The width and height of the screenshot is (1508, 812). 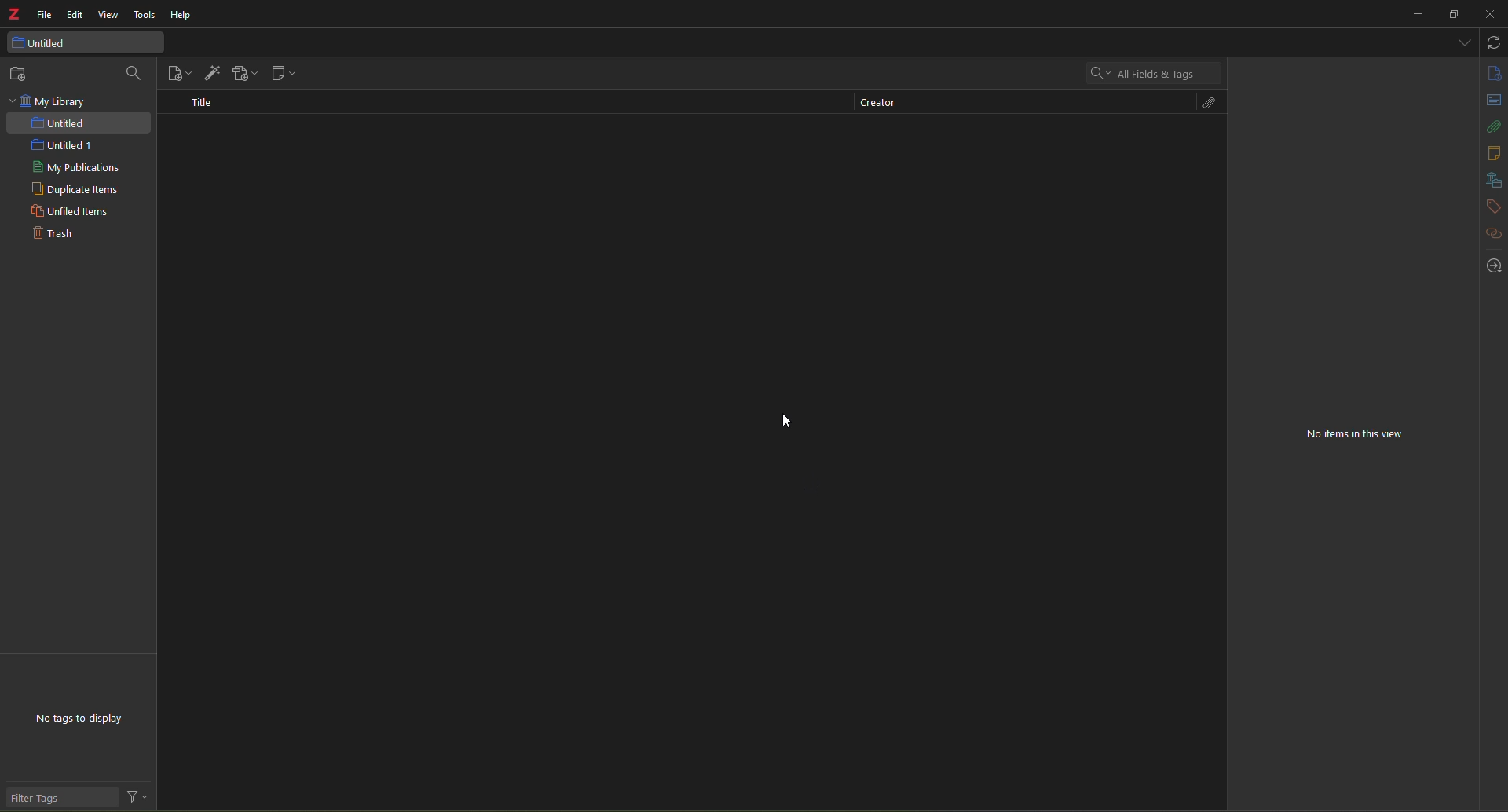 What do you see at coordinates (179, 16) in the screenshot?
I see `help` at bounding box center [179, 16].